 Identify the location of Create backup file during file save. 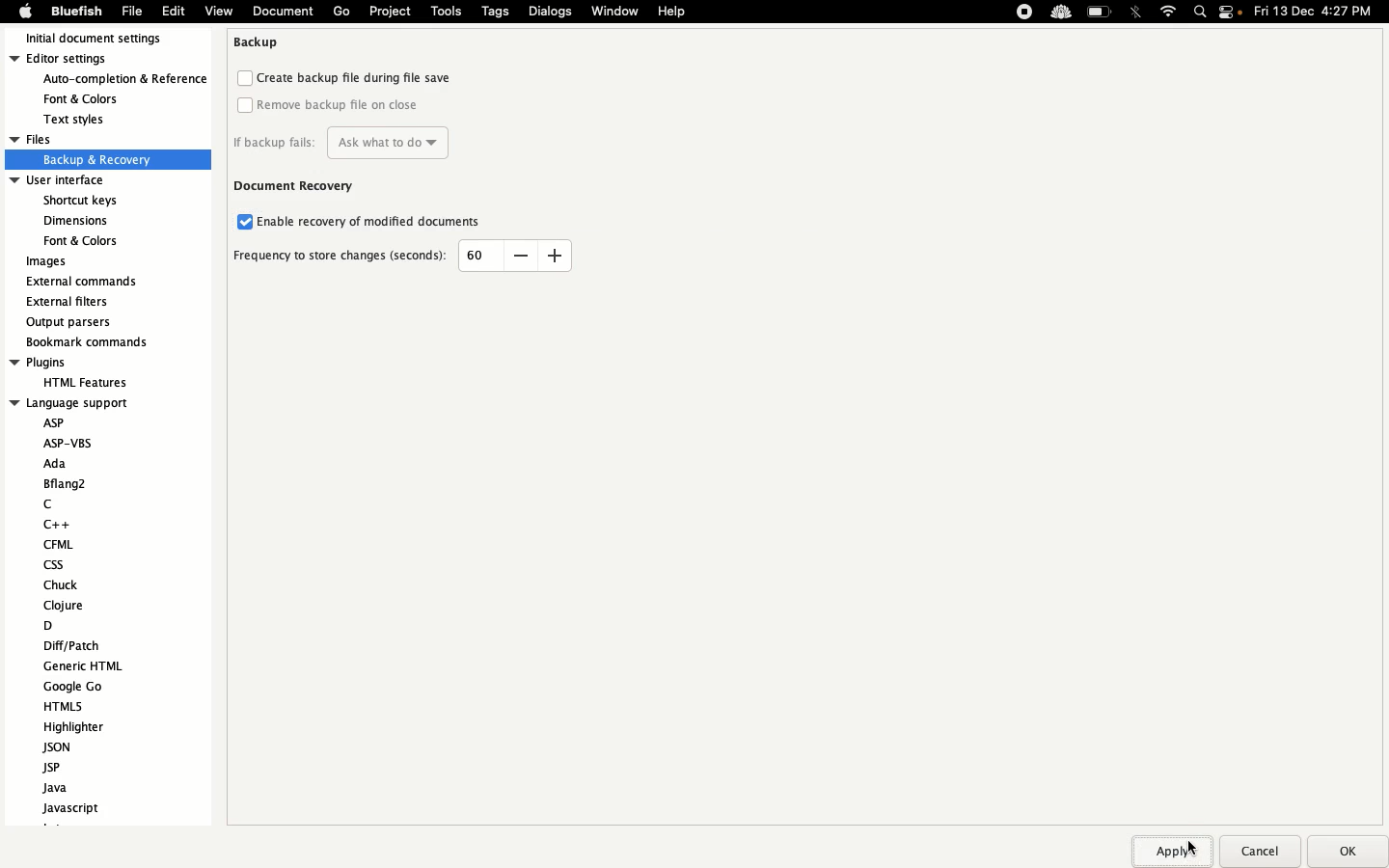
(348, 78).